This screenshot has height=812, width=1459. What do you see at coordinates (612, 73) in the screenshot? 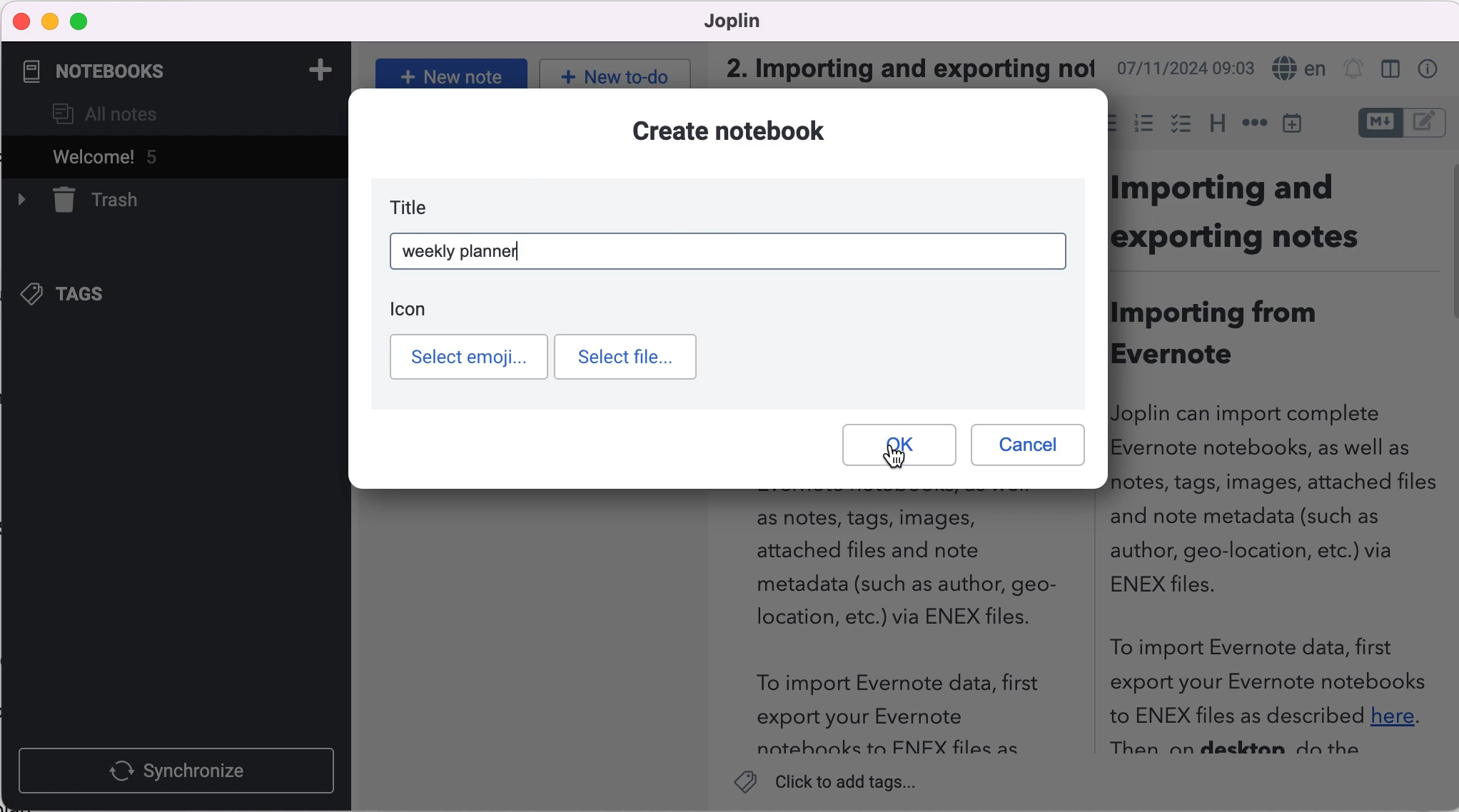
I see `New to do` at bounding box center [612, 73].